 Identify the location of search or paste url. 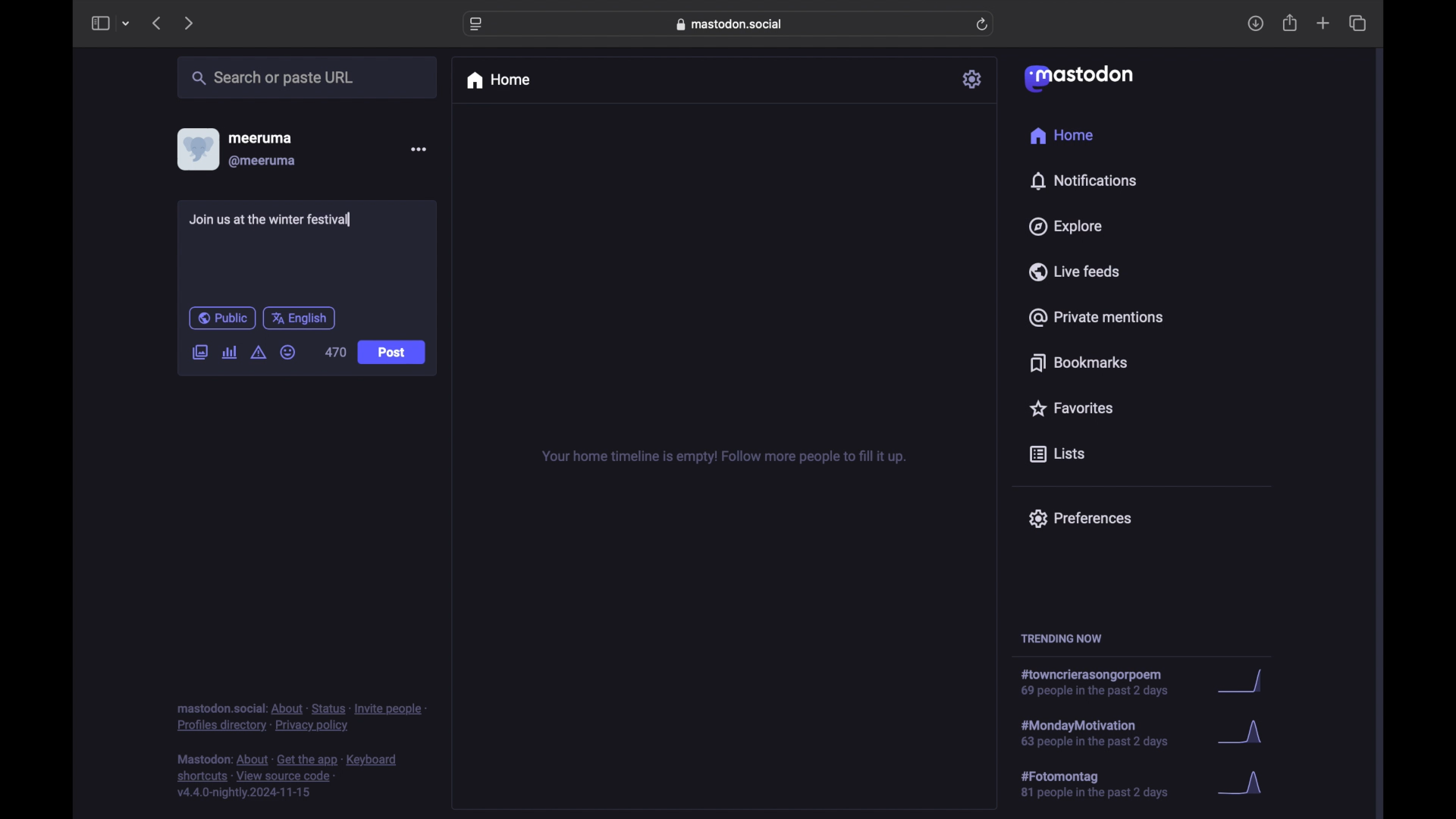
(272, 78).